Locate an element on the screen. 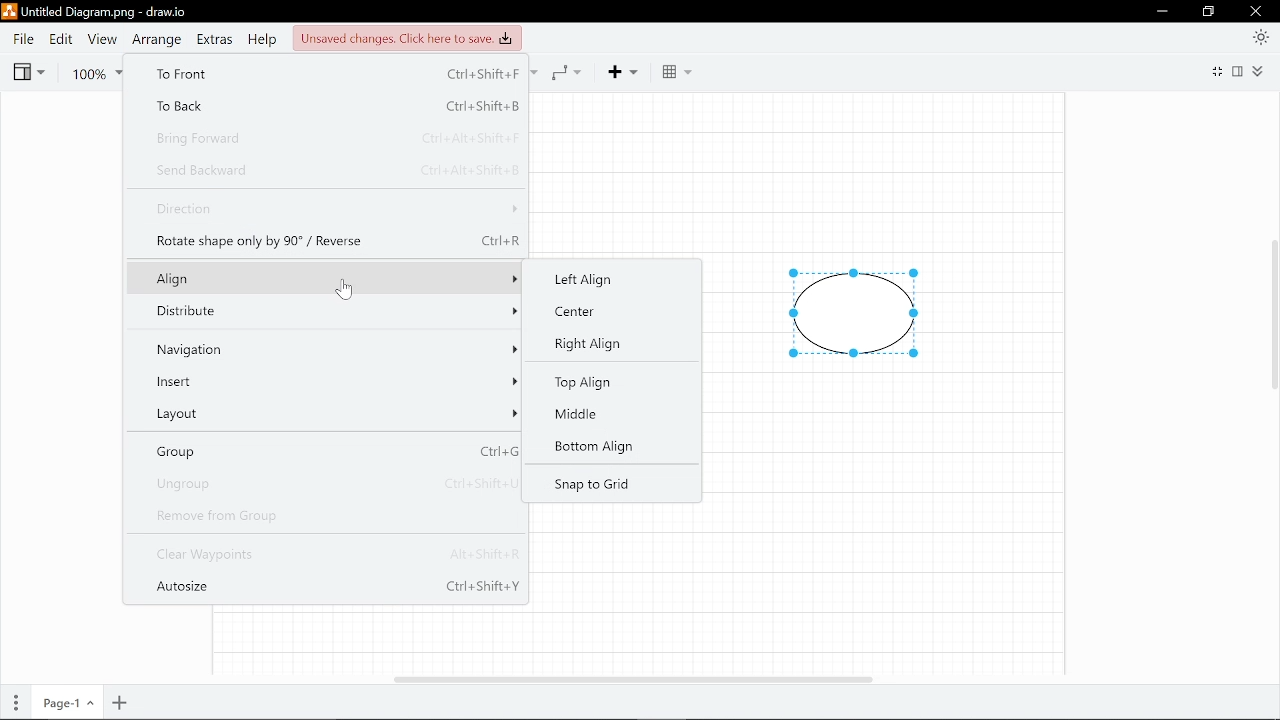 The height and width of the screenshot is (720, 1280). Add is located at coordinates (630, 71).